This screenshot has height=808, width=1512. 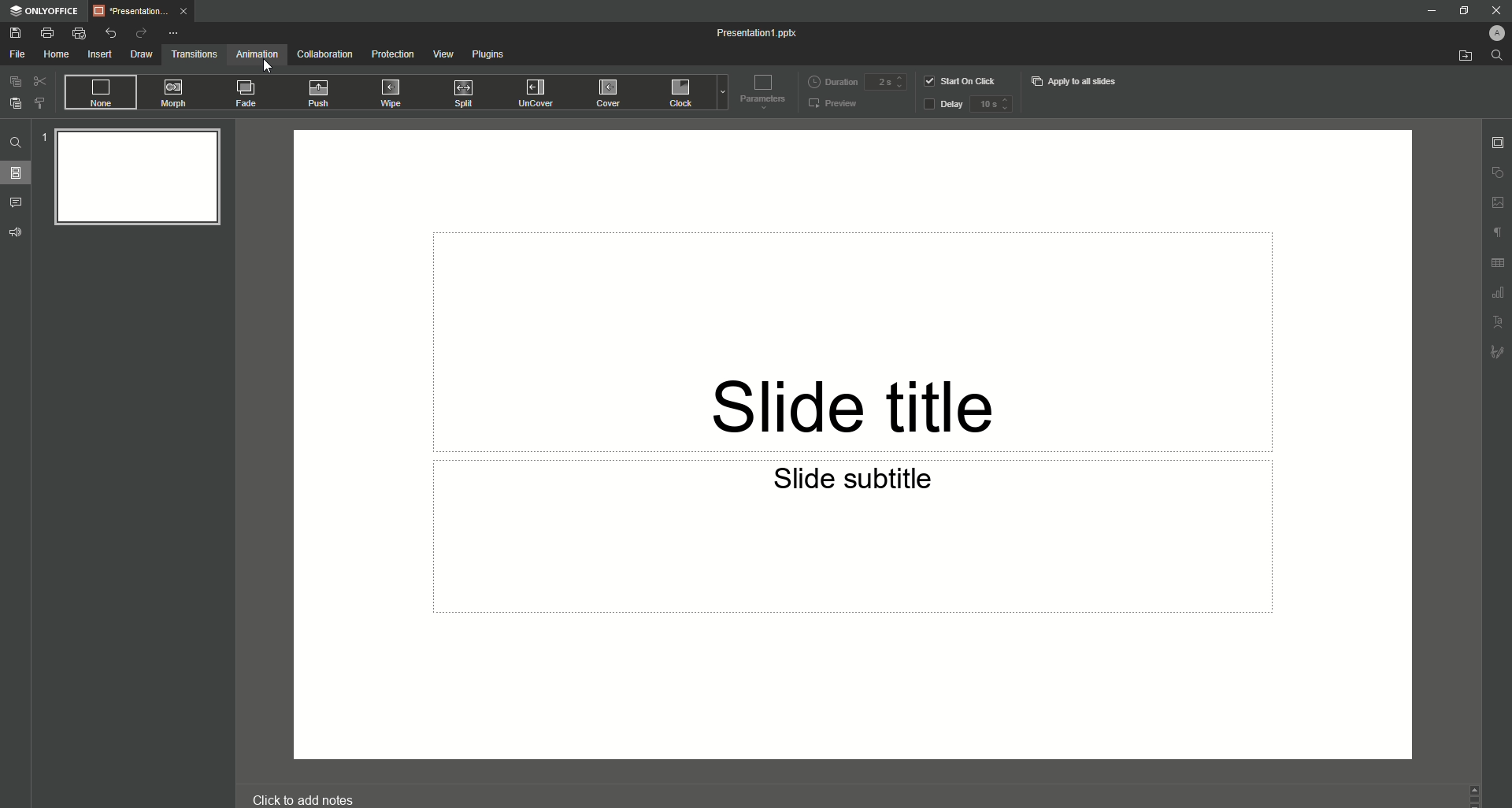 I want to click on Cover, so click(x=604, y=92).